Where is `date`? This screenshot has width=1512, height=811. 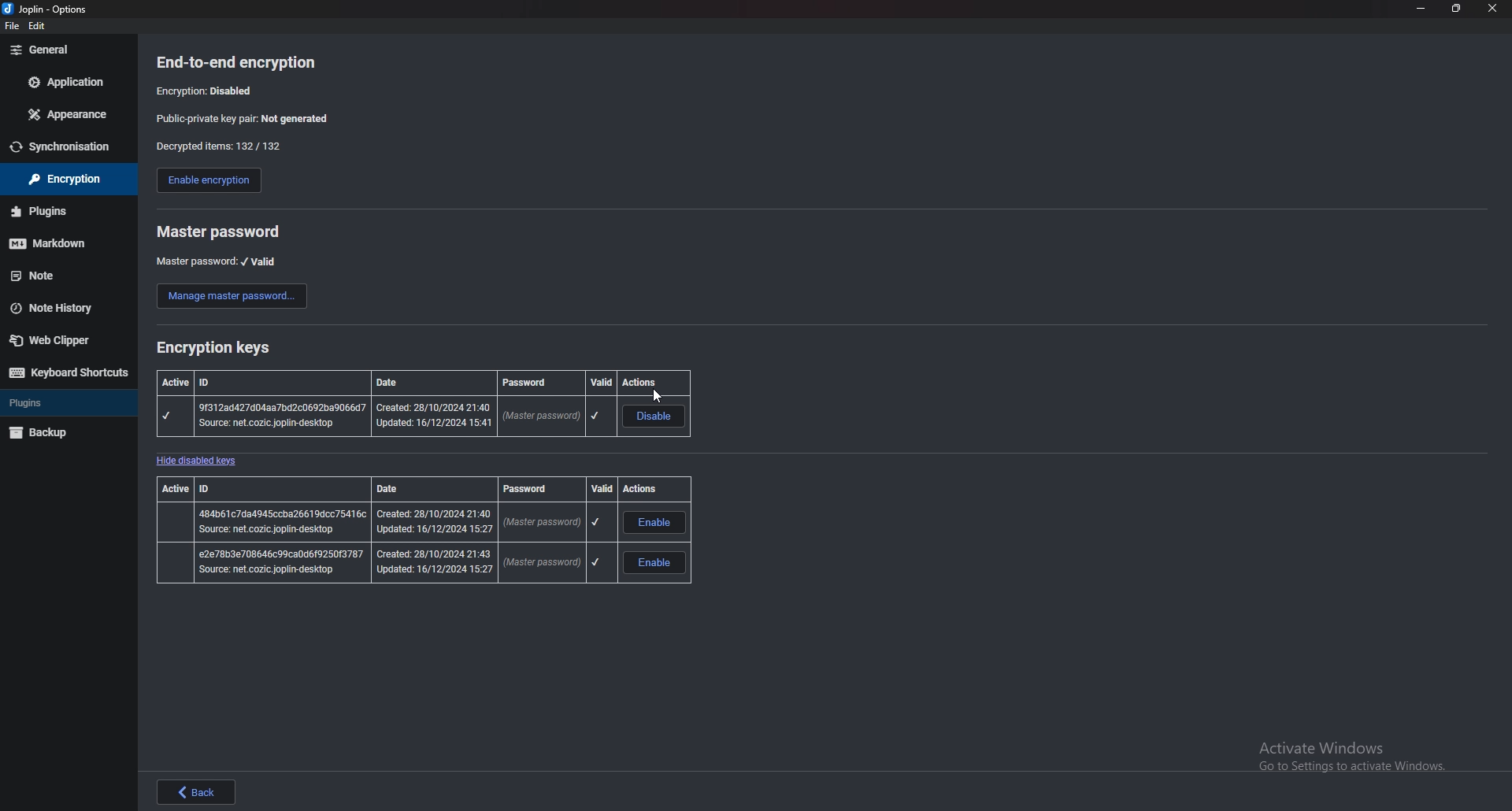
date is located at coordinates (409, 489).